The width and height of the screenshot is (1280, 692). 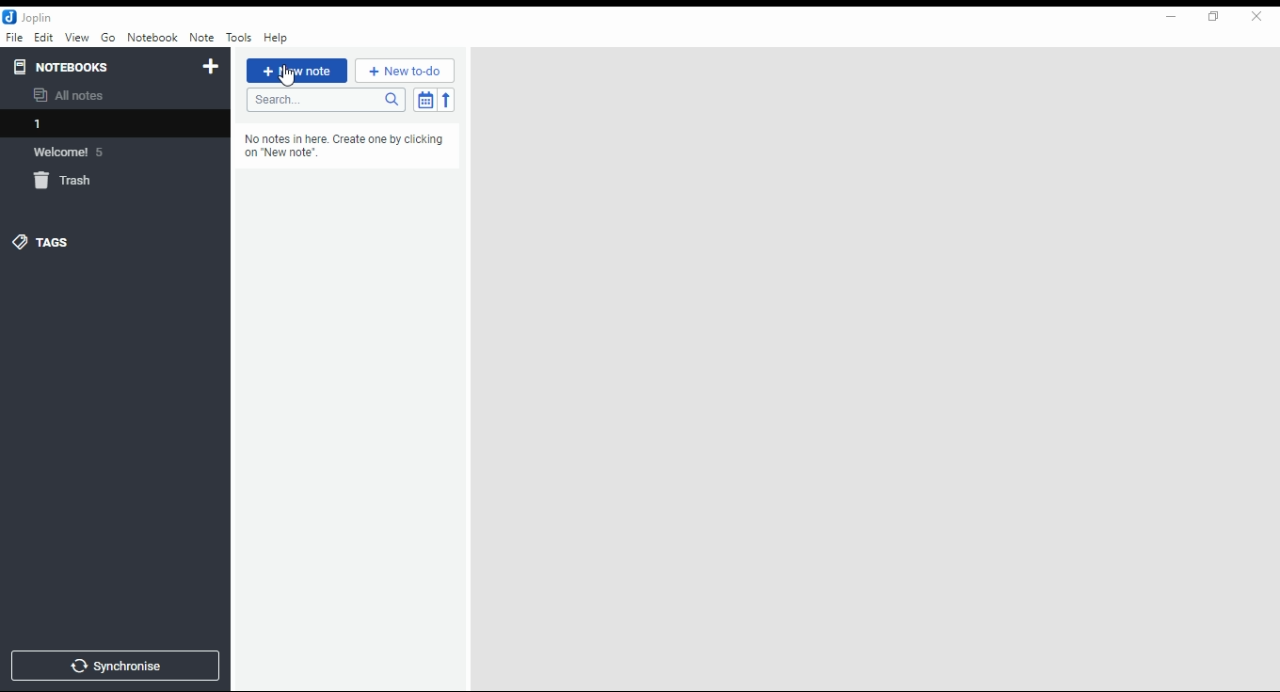 What do you see at coordinates (446, 99) in the screenshot?
I see `sort order reverse` at bounding box center [446, 99].